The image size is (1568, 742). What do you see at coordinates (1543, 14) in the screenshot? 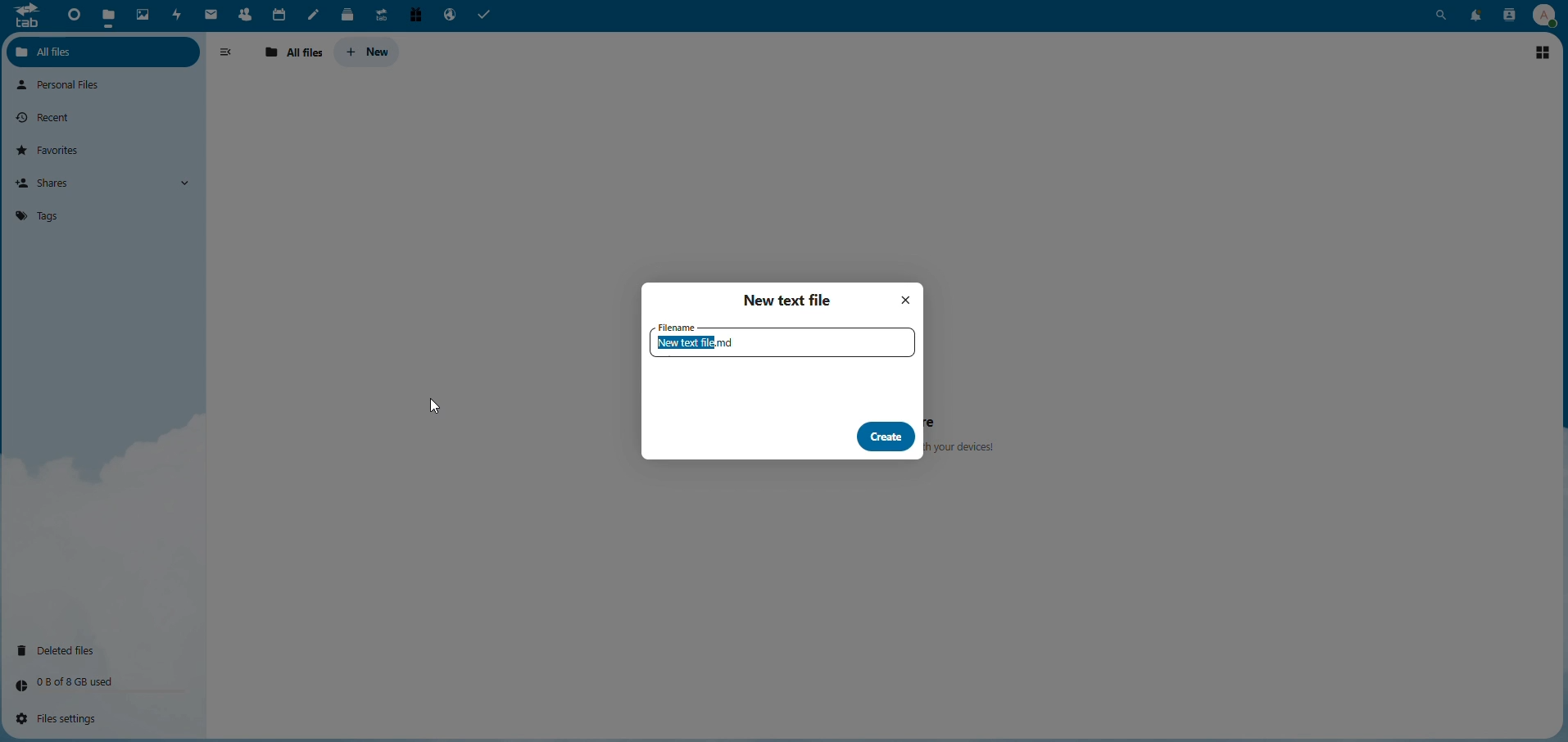
I see `Profile` at bounding box center [1543, 14].